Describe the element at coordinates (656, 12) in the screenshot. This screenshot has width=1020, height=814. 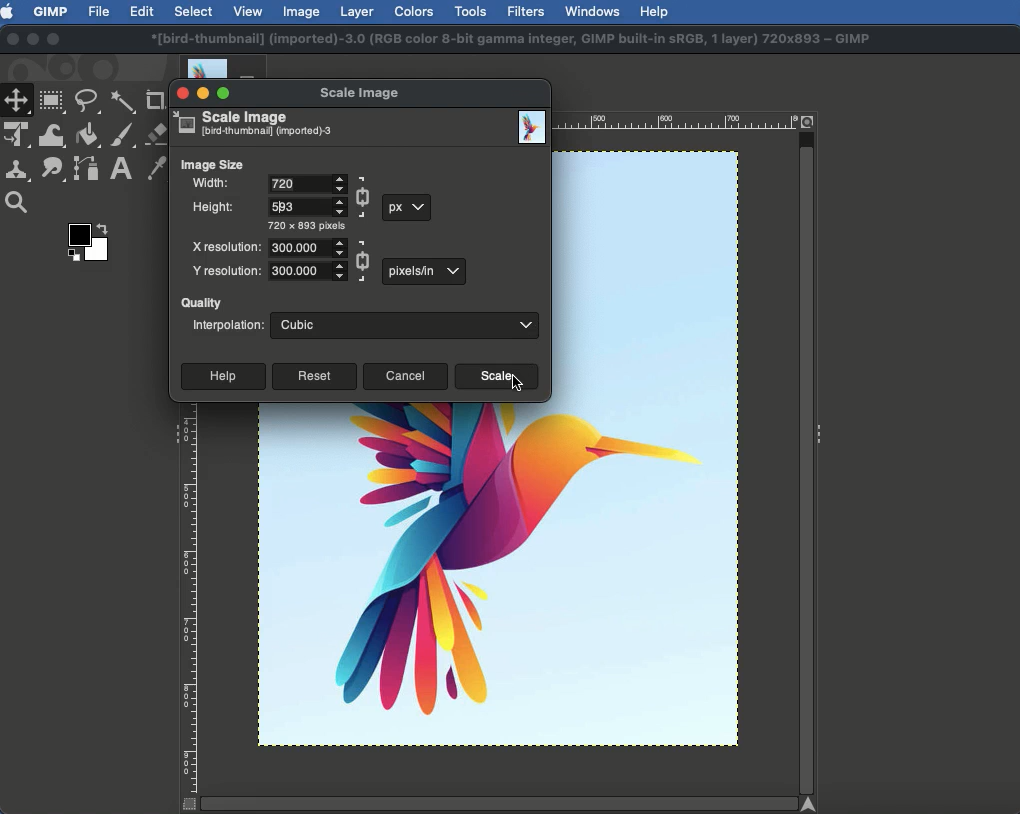
I see `Help` at that location.